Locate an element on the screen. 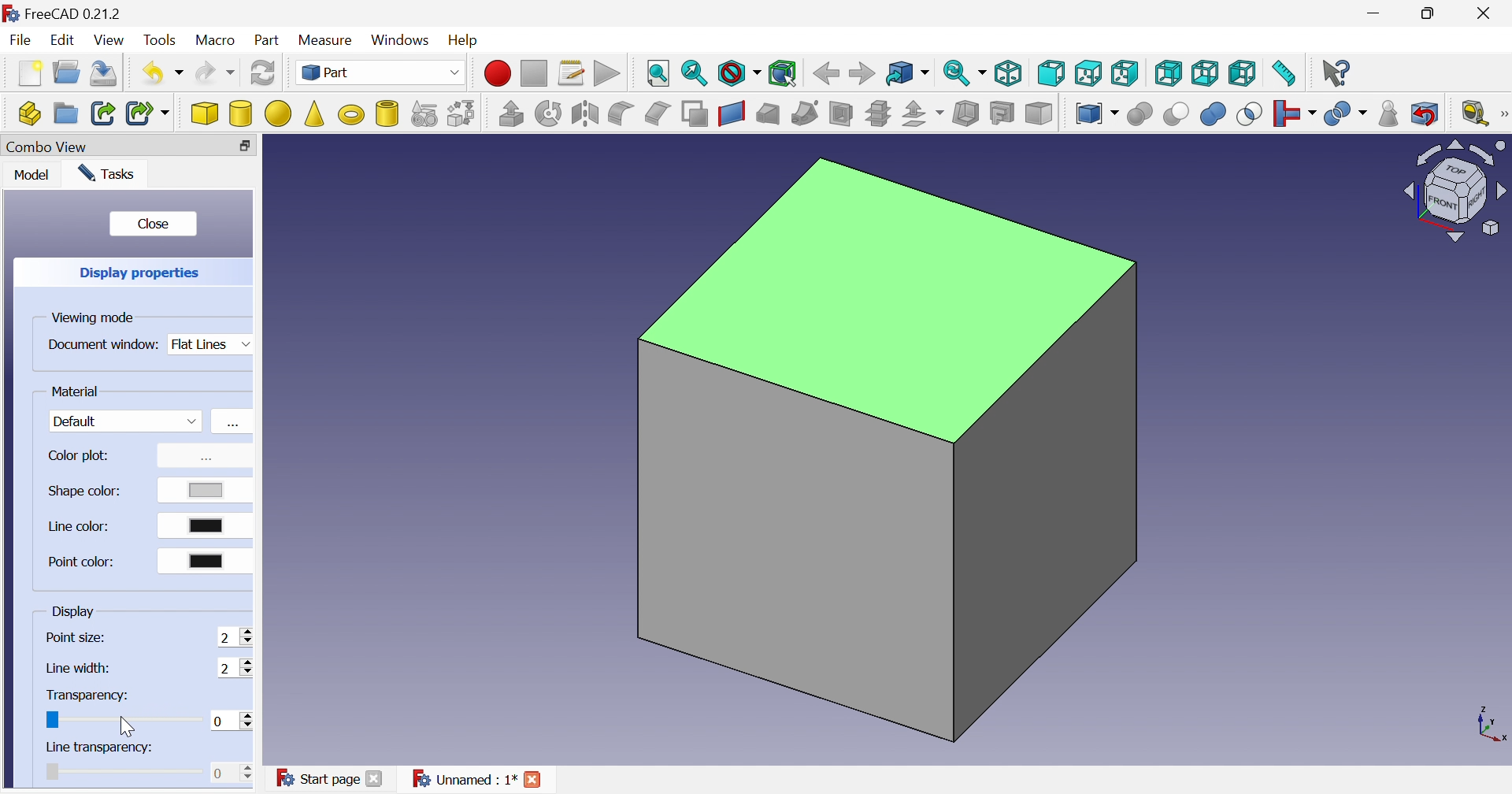 Image resolution: width=1512 pixels, height=794 pixels. Revolve is located at coordinates (550, 113).